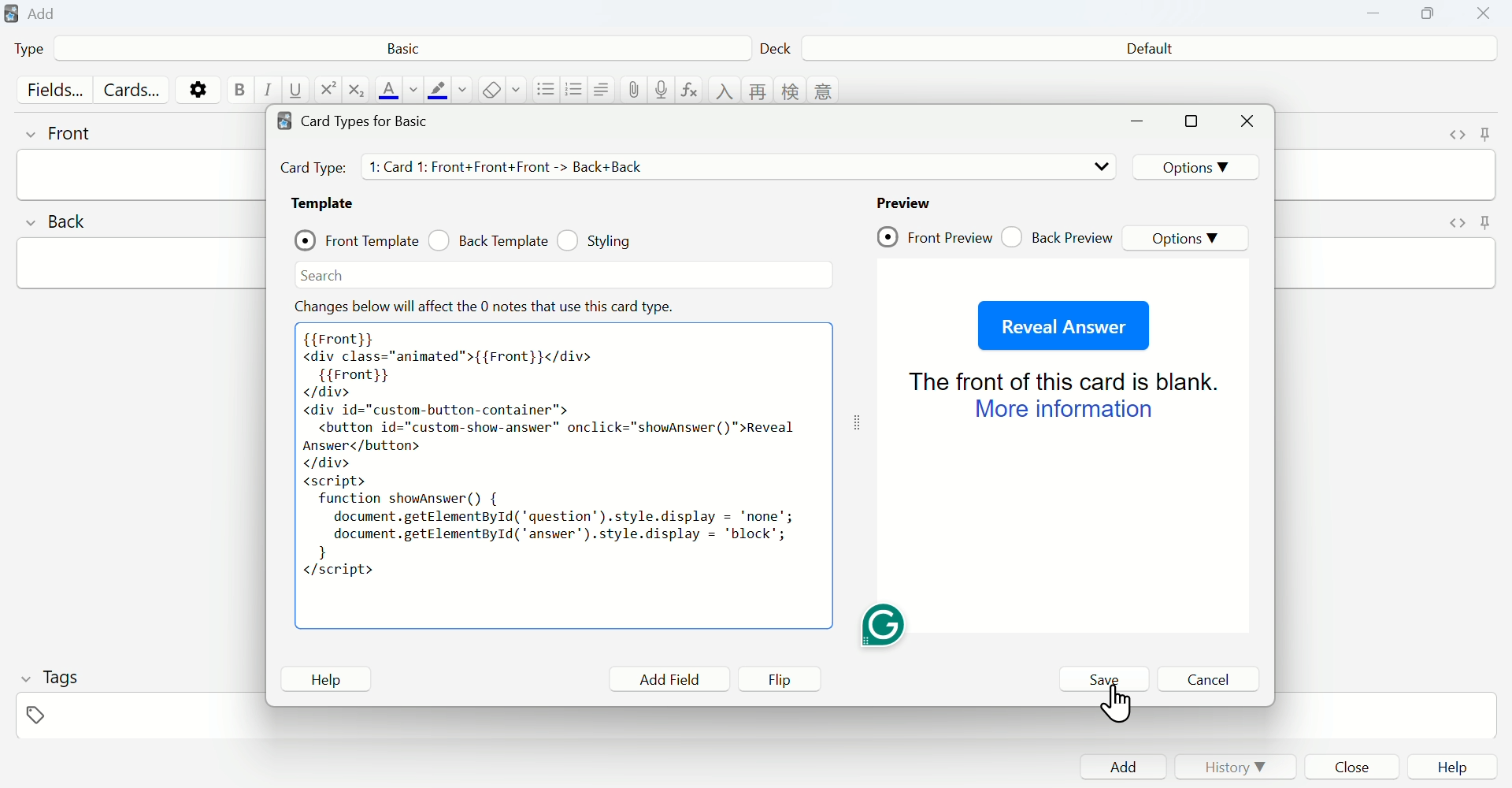  I want to click on subscript, so click(357, 90).